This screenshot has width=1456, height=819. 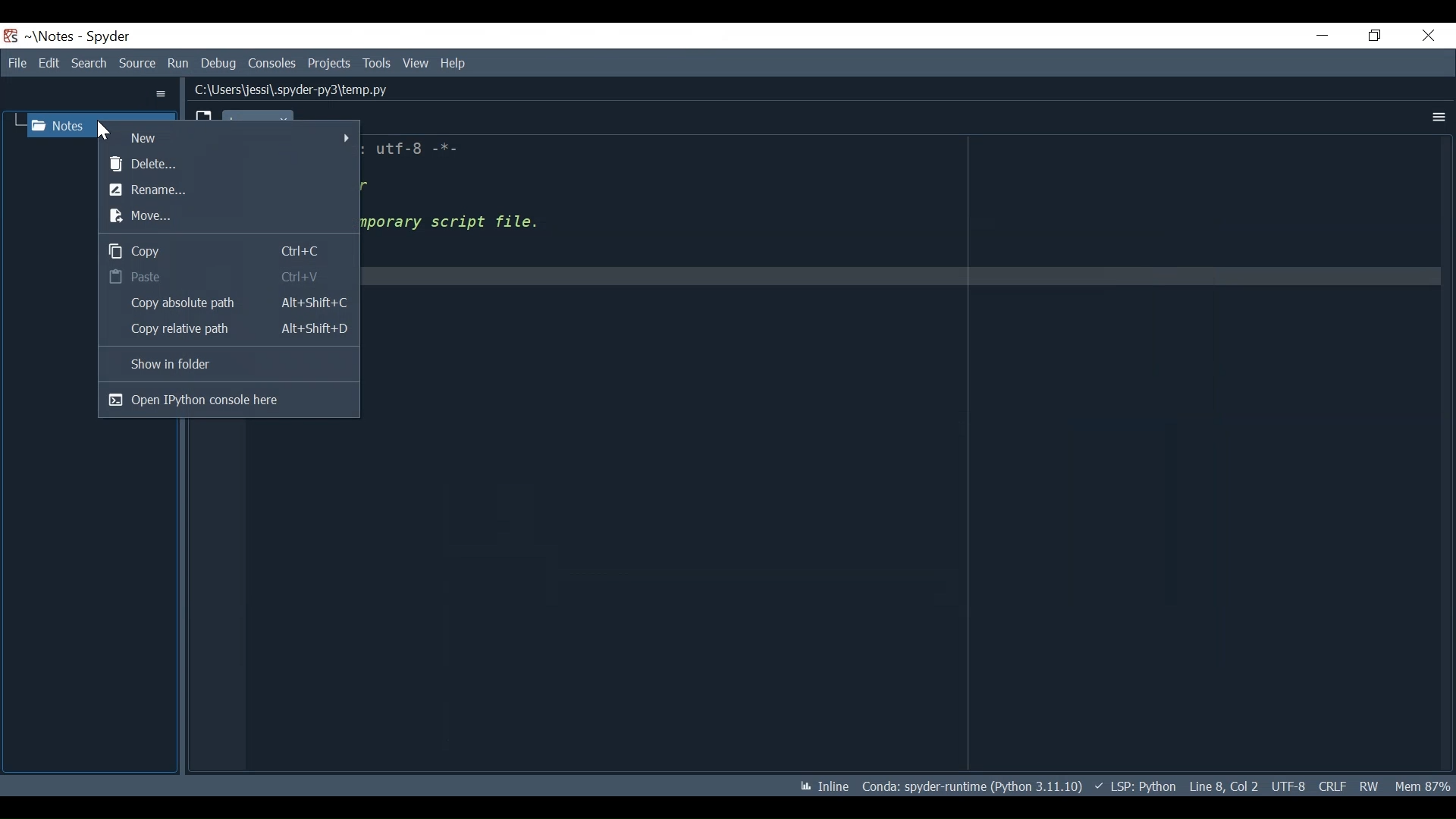 I want to click on More Options, so click(x=162, y=95).